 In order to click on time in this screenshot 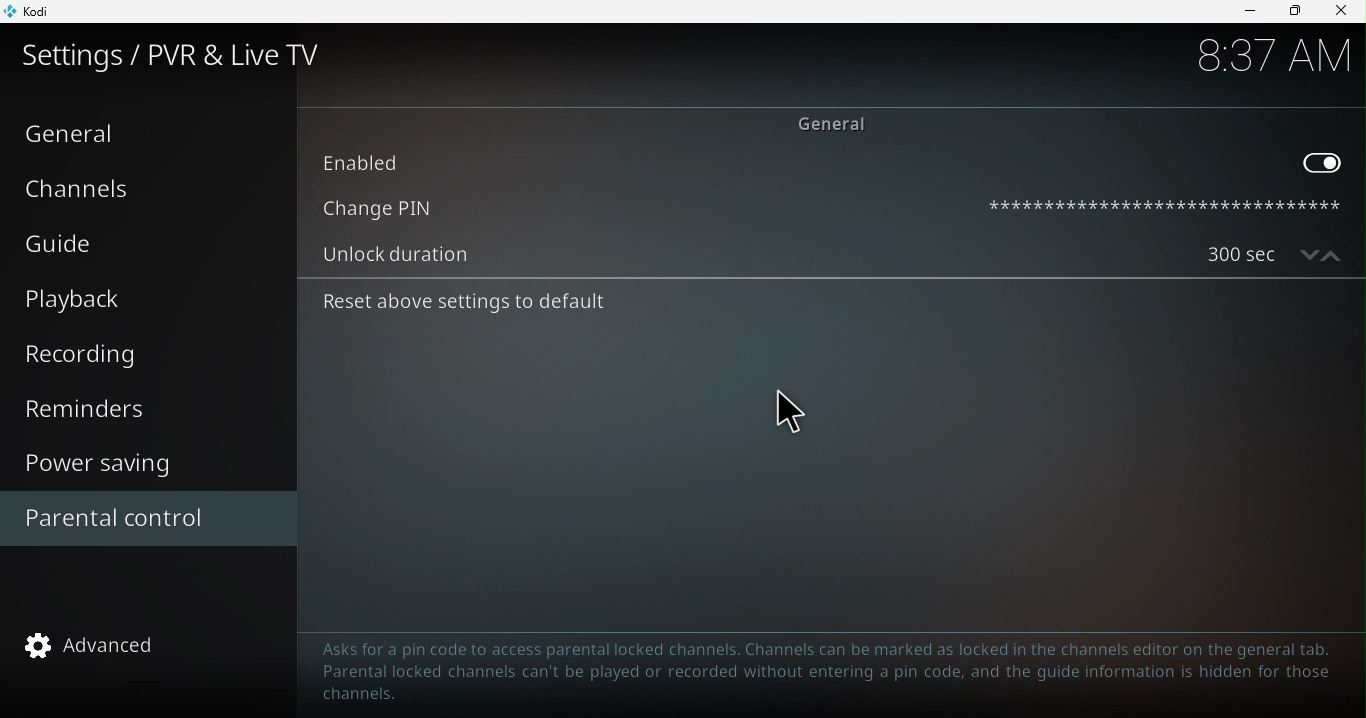, I will do `click(1257, 60)`.